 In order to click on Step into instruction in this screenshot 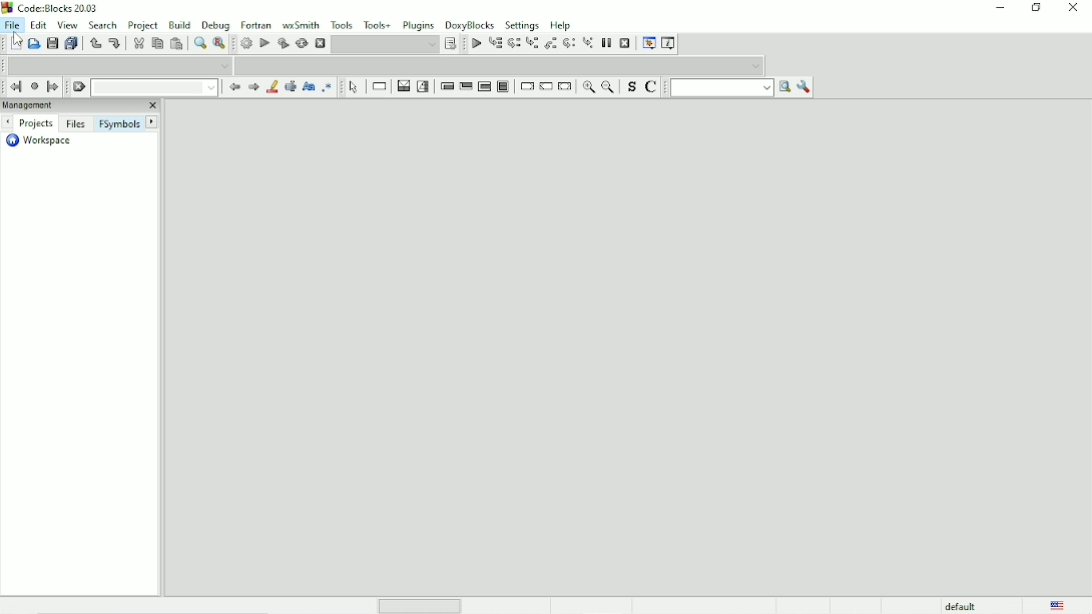, I will do `click(588, 44)`.